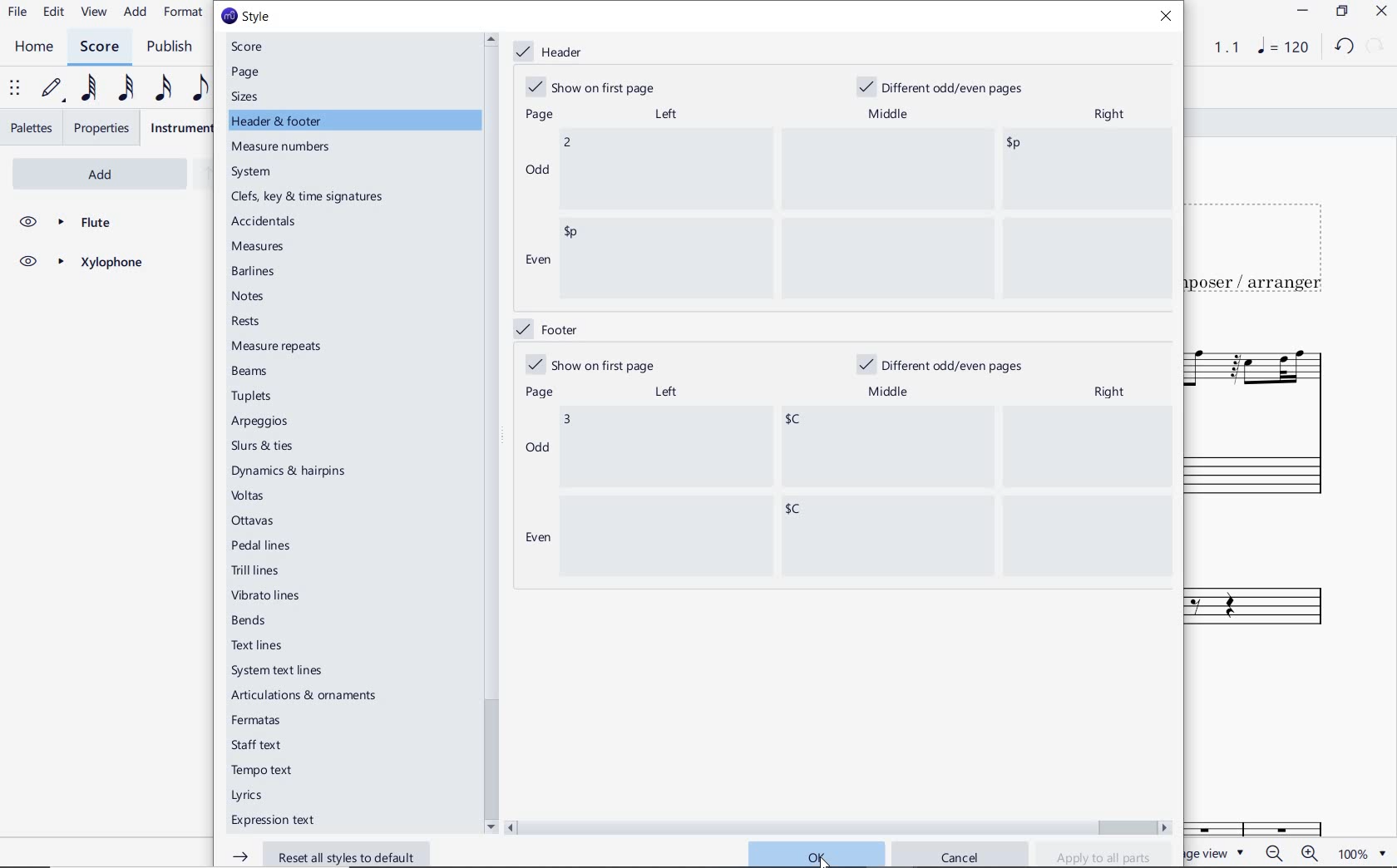 This screenshot has width=1397, height=868. I want to click on system, so click(254, 172).